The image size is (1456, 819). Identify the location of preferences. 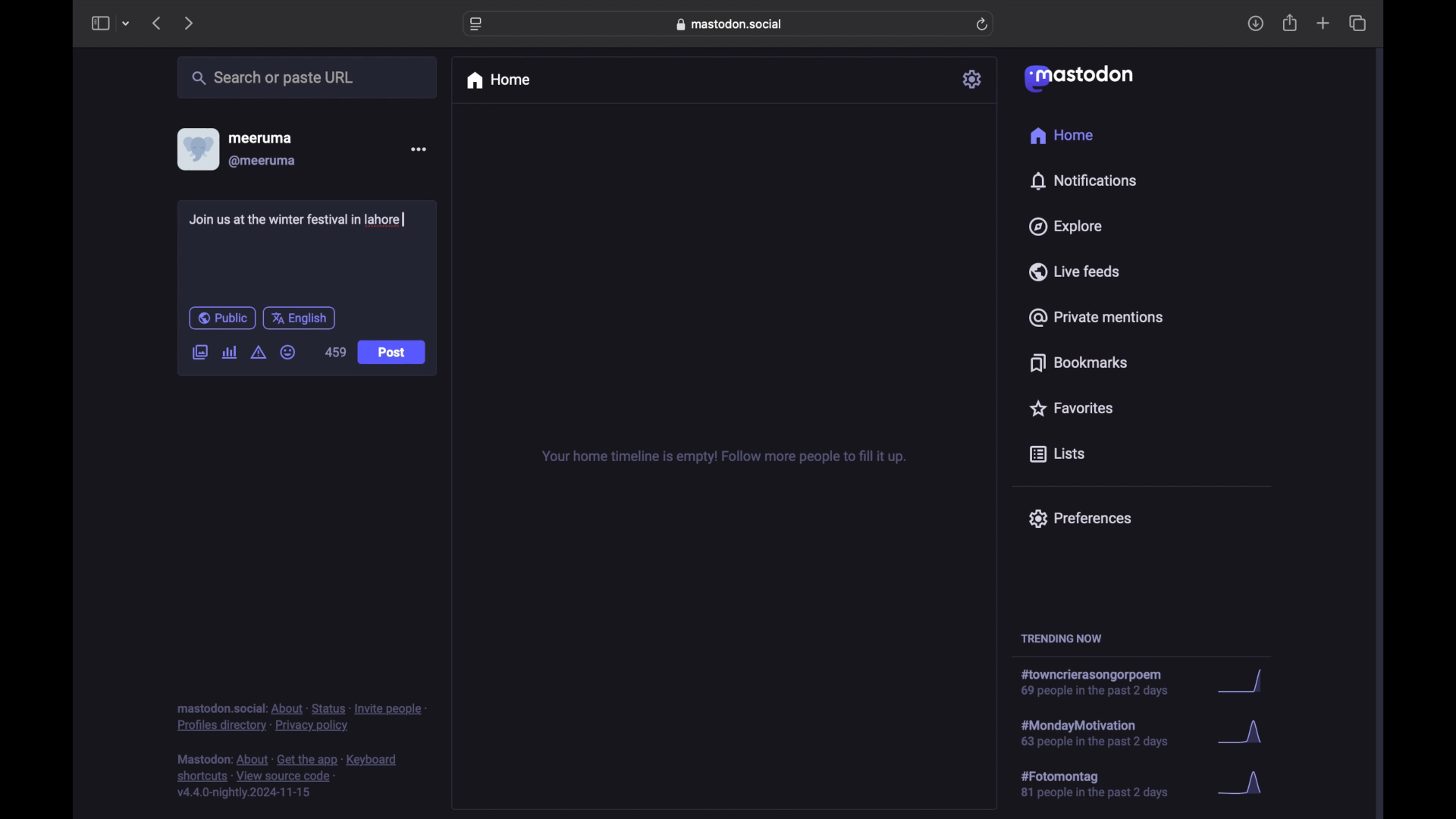
(1079, 517).